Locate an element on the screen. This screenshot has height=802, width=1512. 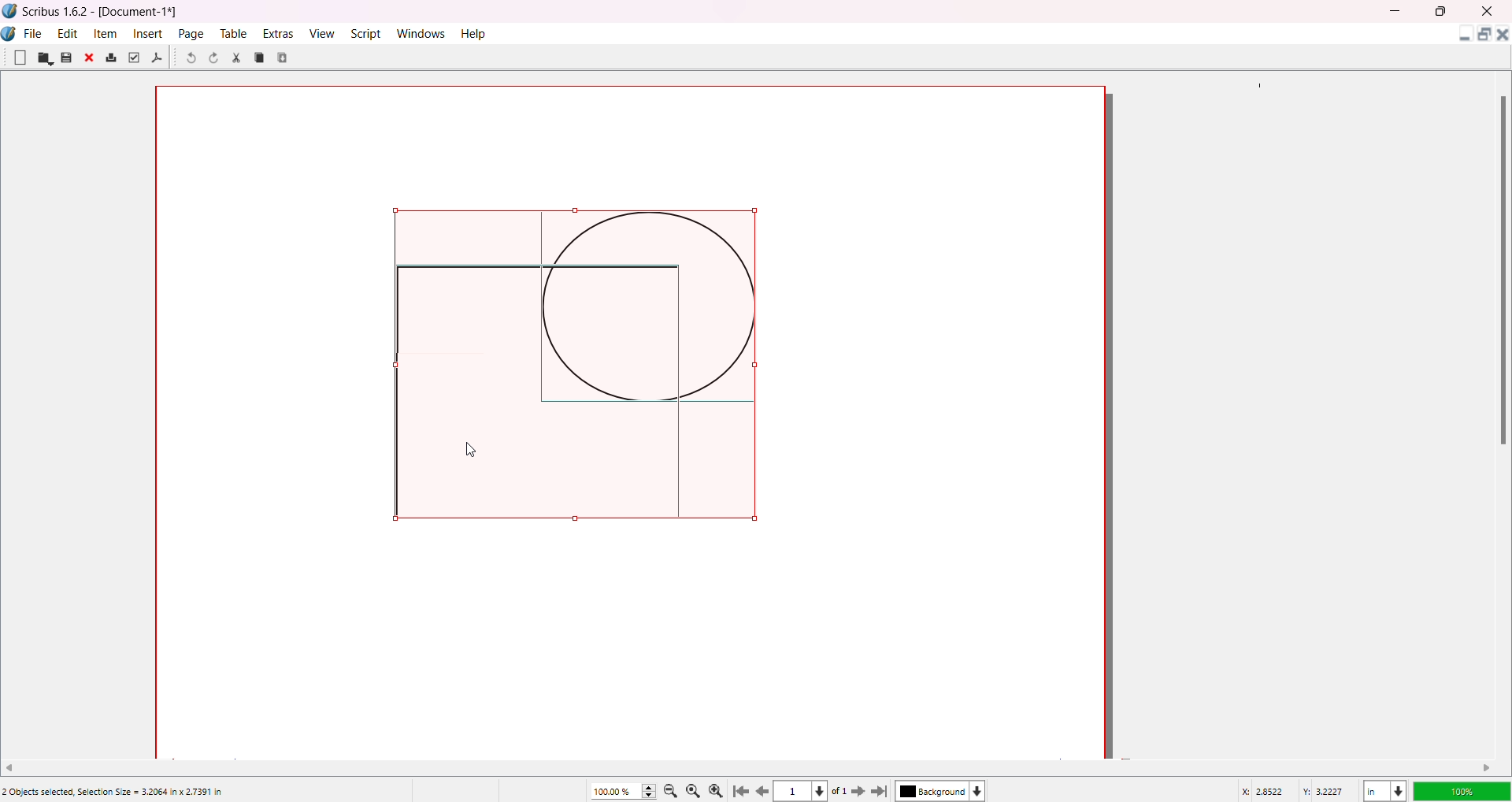
Open is located at coordinates (45, 58).